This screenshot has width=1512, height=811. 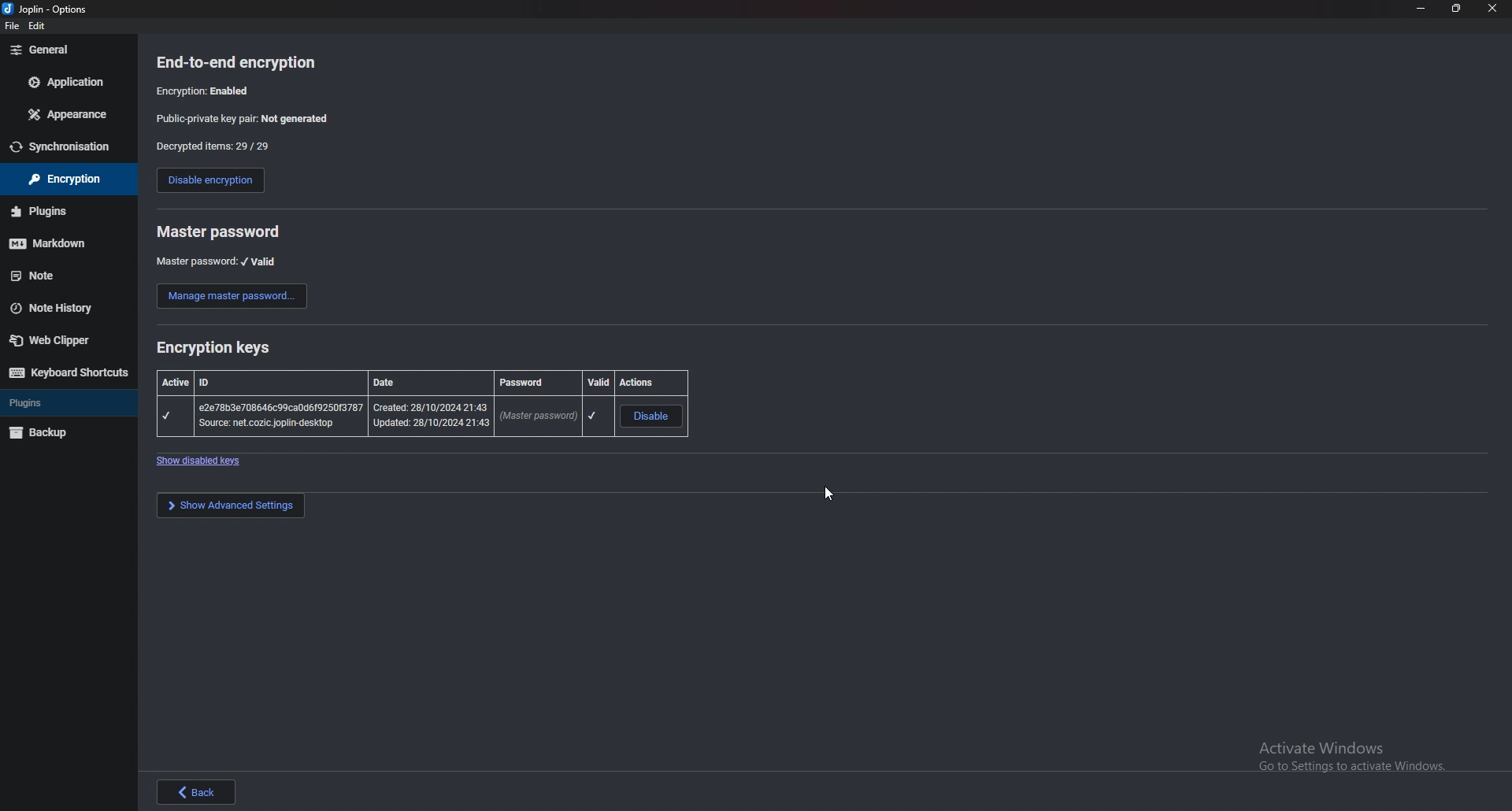 What do you see at coordinates (71, 374) in the screenshot?
I see `` at bounding box center [71, 374].